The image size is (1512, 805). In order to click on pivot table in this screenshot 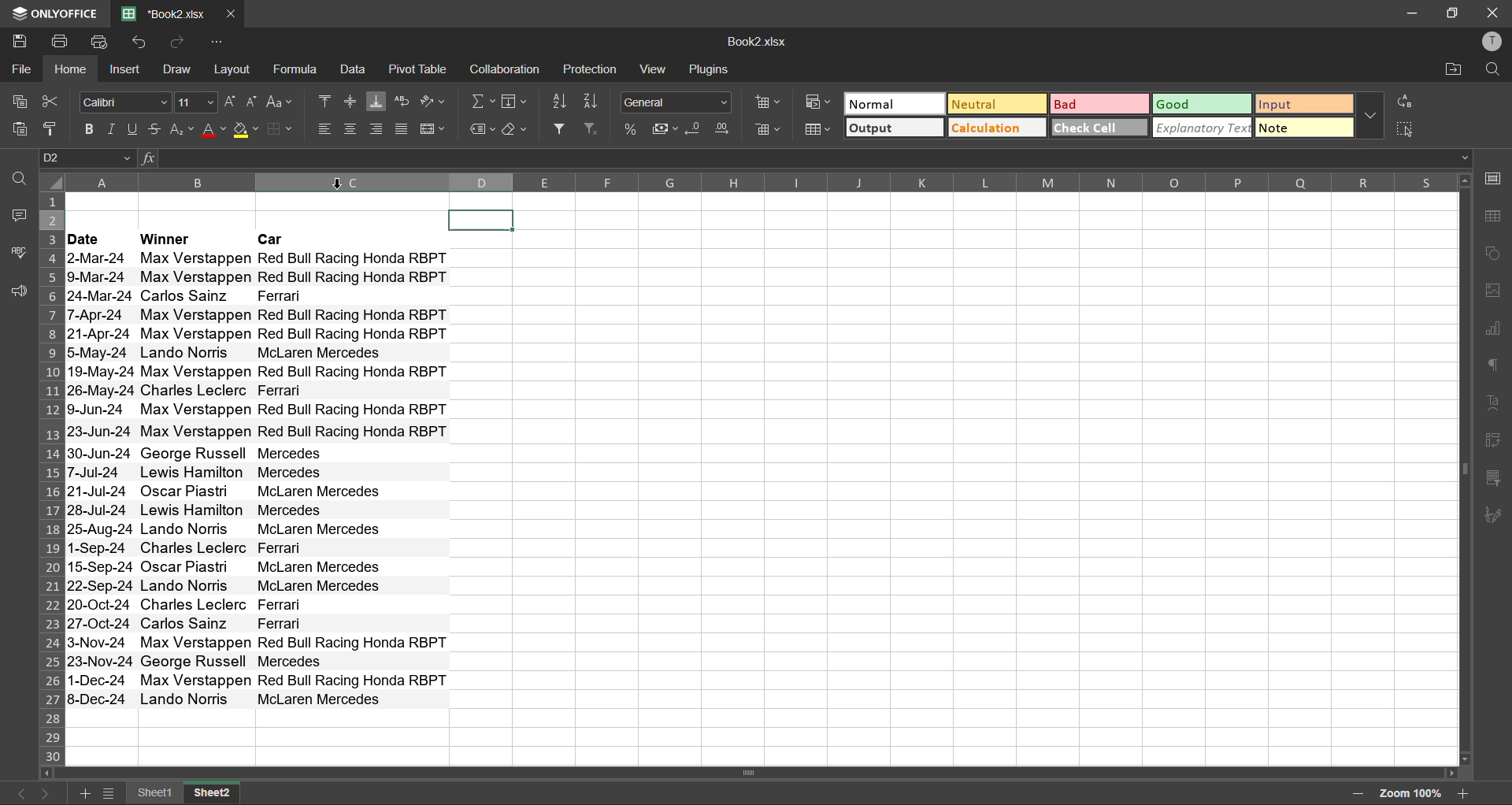, I will do `click(421, 69)`.